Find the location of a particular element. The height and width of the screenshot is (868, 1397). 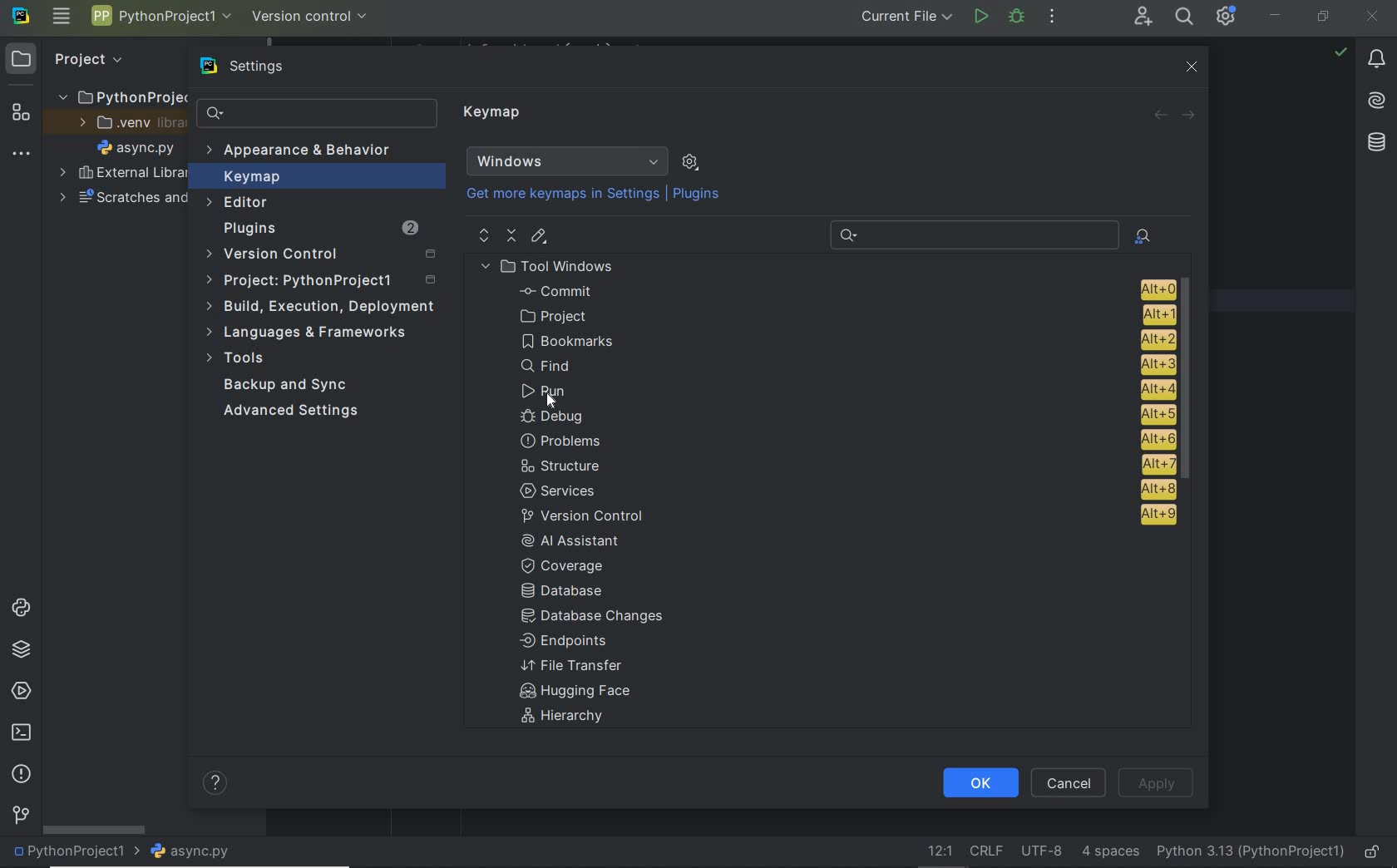

scratches and consoles is located at coordinates (122, 199).